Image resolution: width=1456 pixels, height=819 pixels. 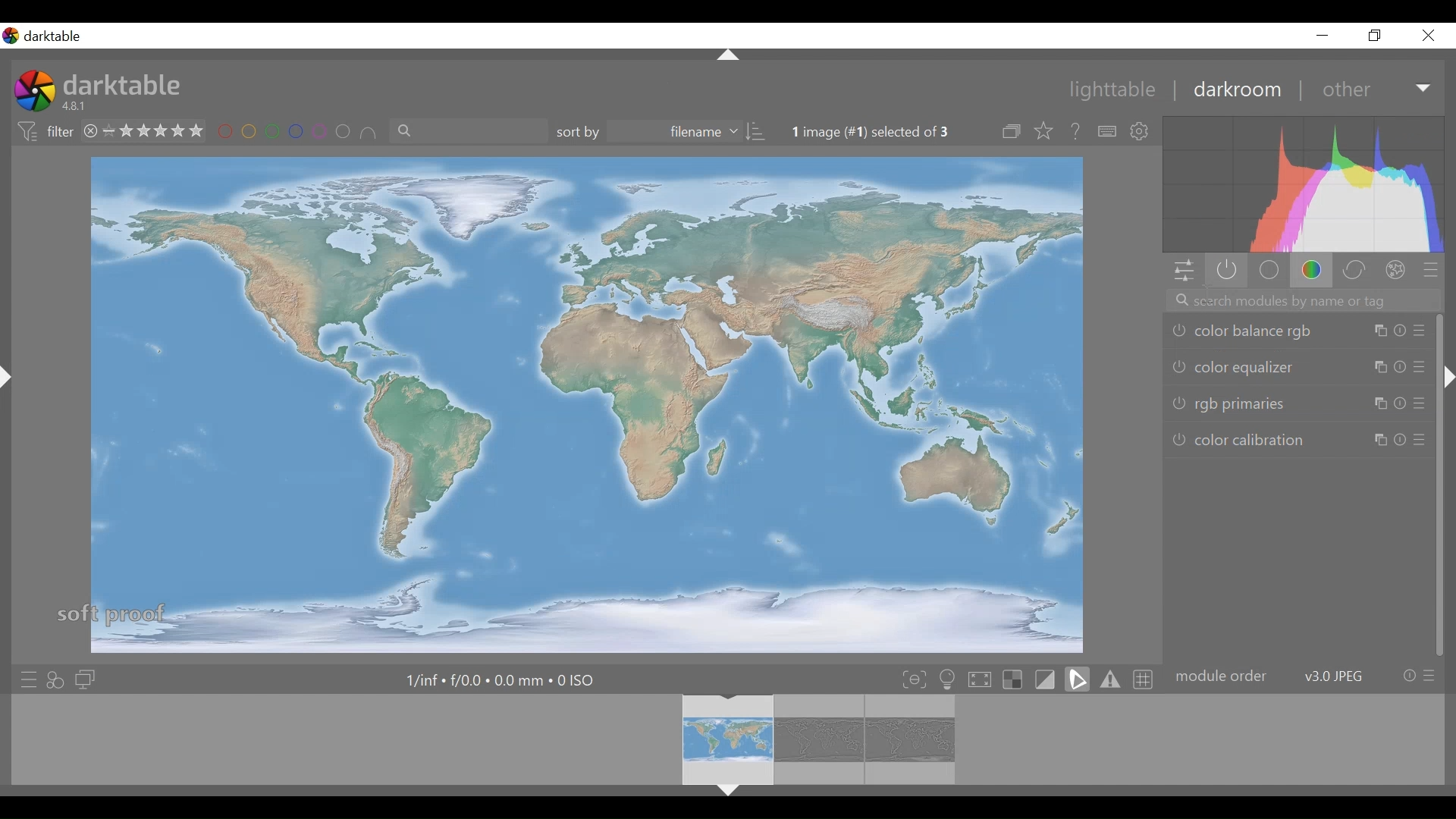 What do you see at coordinates (1226, 271) in the screenshot?
I see `show only active modules` at bounding box center [1226, 271].